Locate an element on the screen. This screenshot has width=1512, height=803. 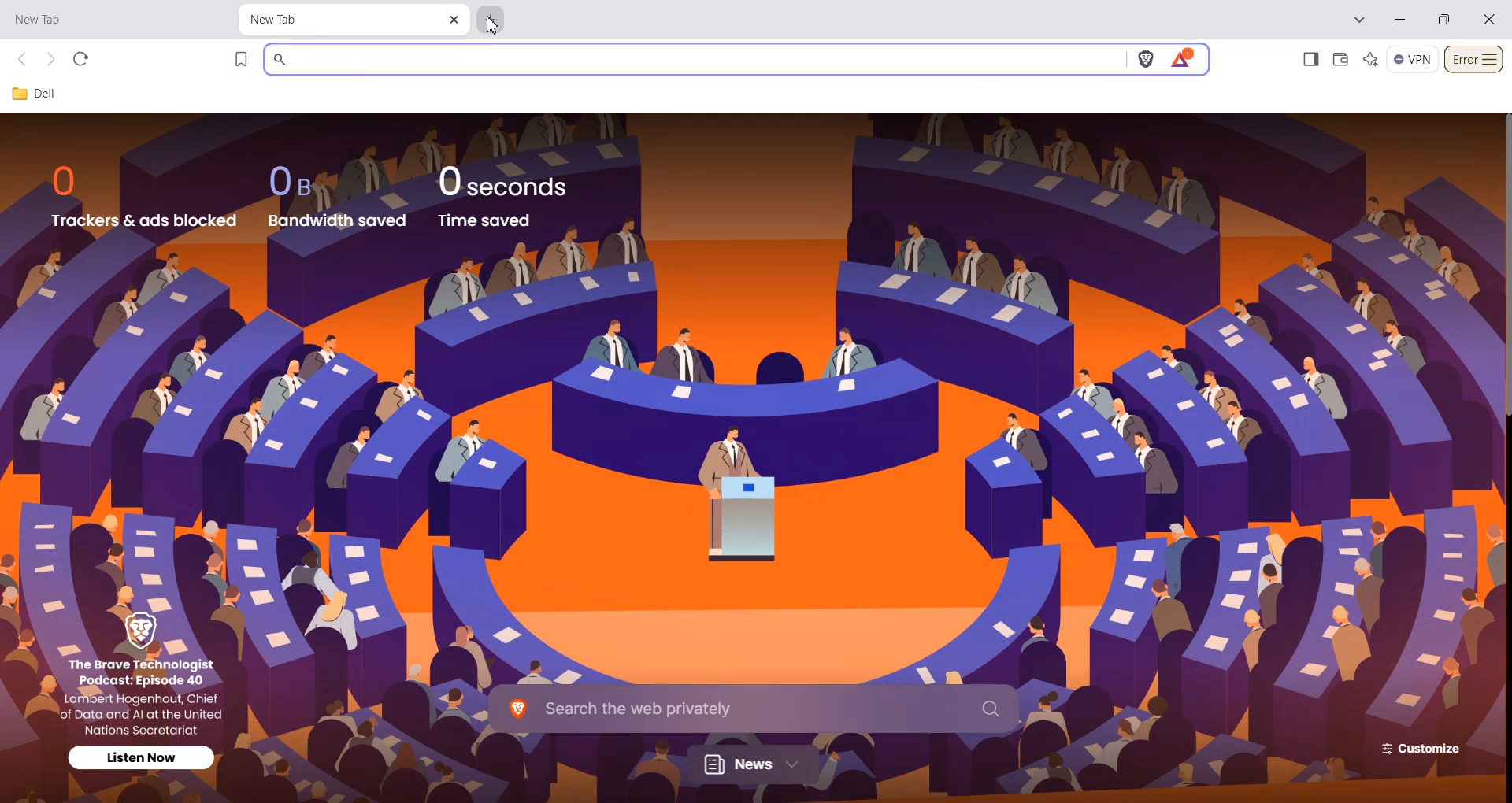
Search Bar is located at coordinates (754, 707).